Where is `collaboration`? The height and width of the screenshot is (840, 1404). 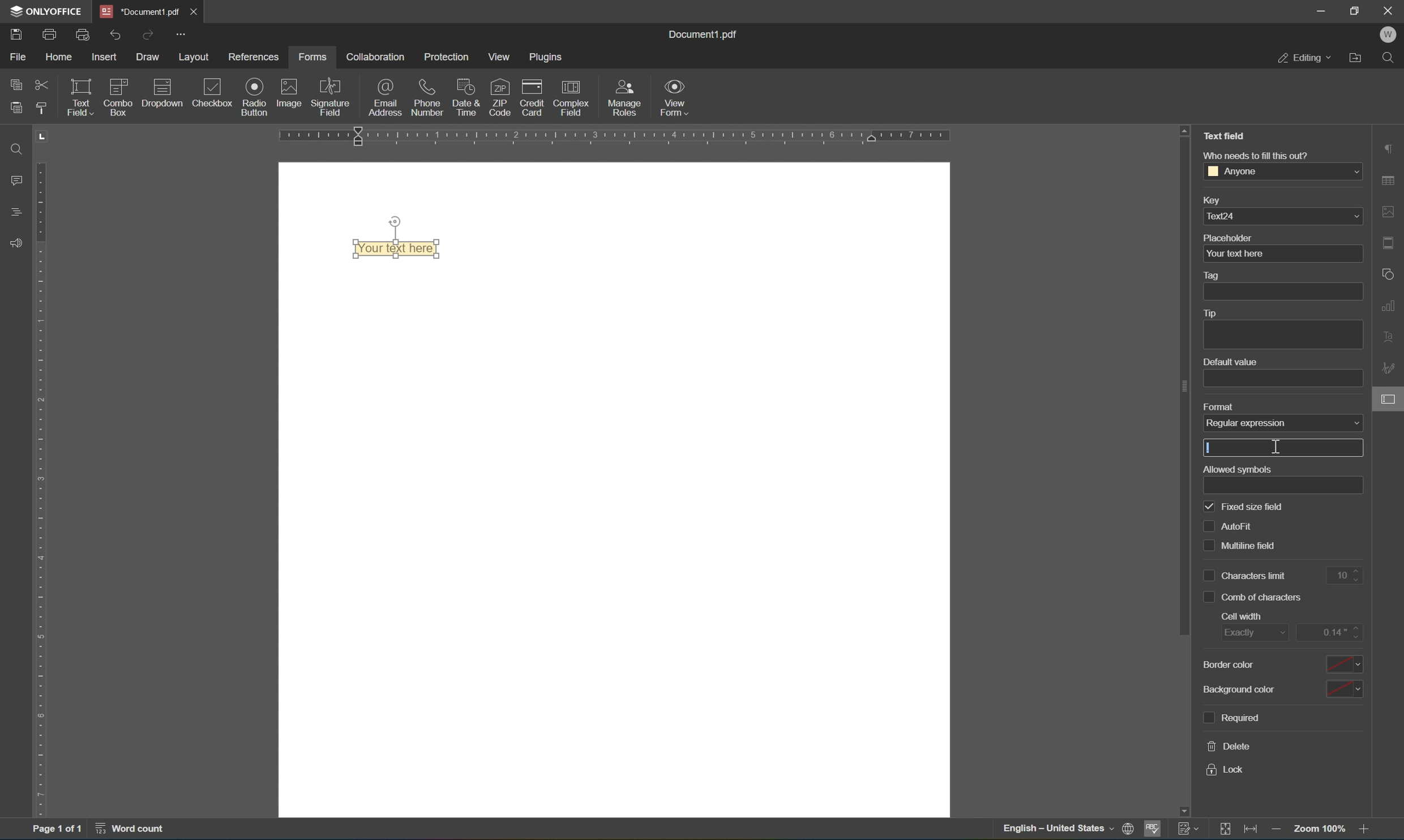
collaboration is located at coordinates (374, 57).